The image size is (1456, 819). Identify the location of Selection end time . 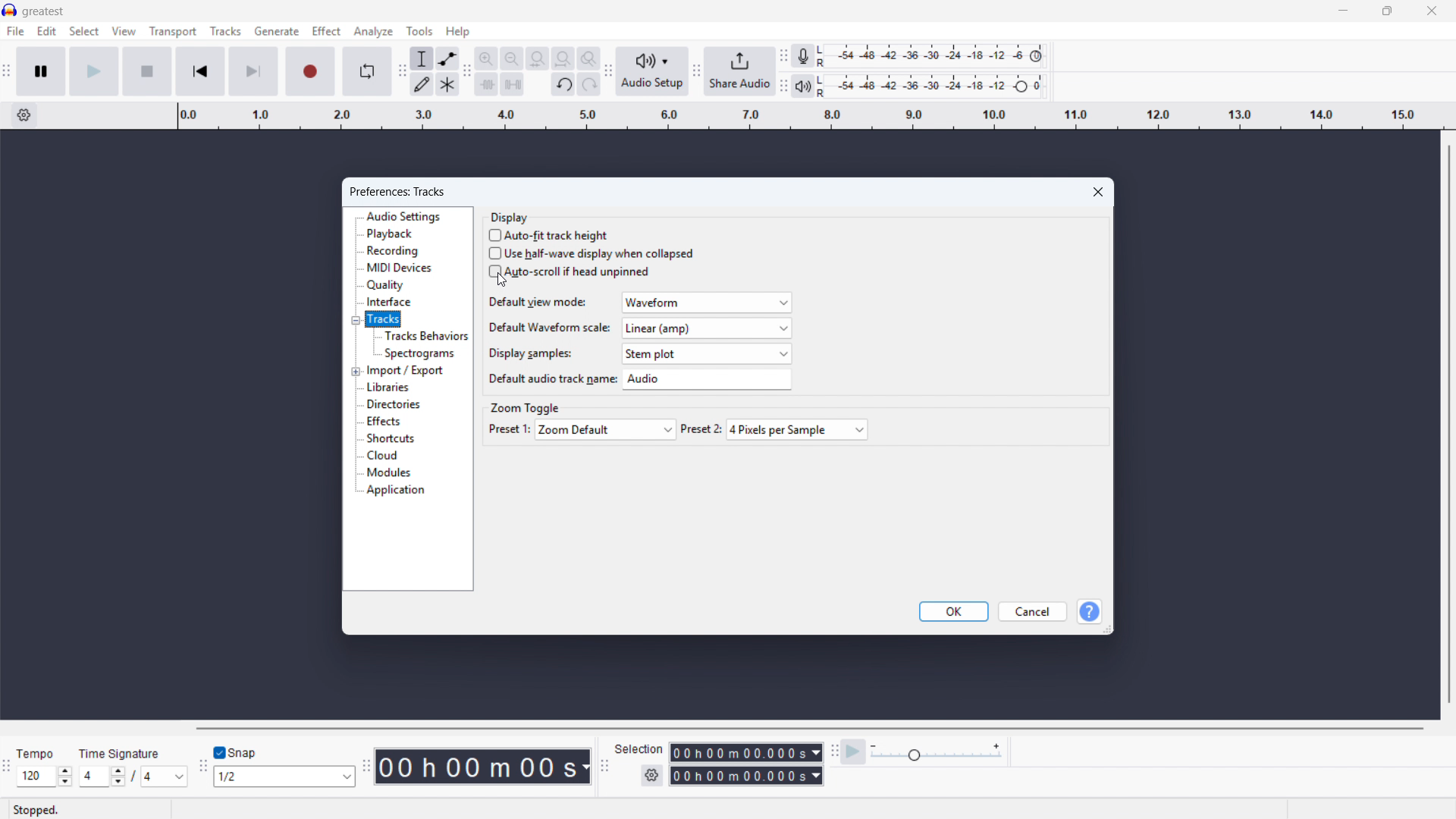
(747, 777).